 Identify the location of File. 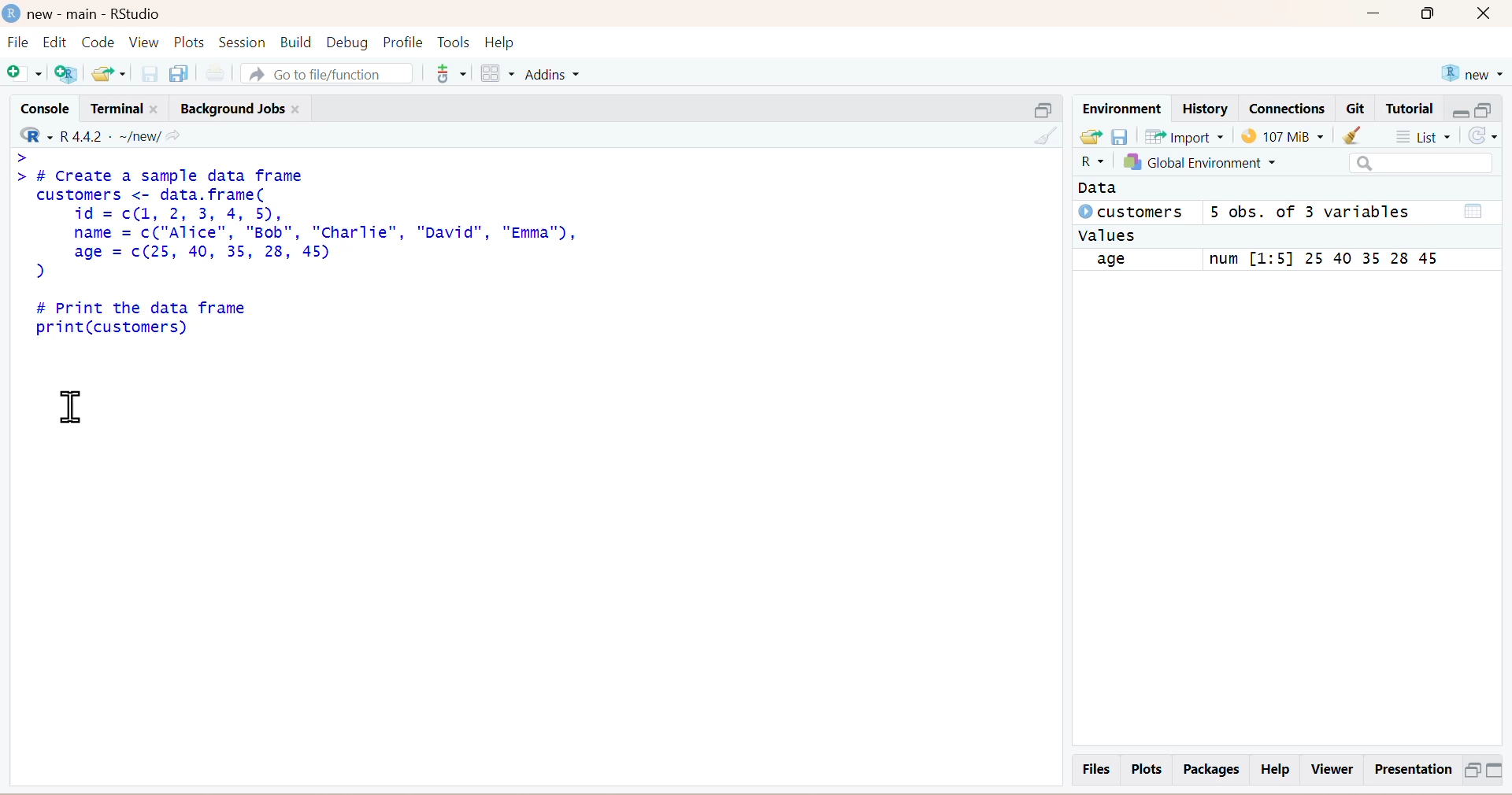
(17, 44).